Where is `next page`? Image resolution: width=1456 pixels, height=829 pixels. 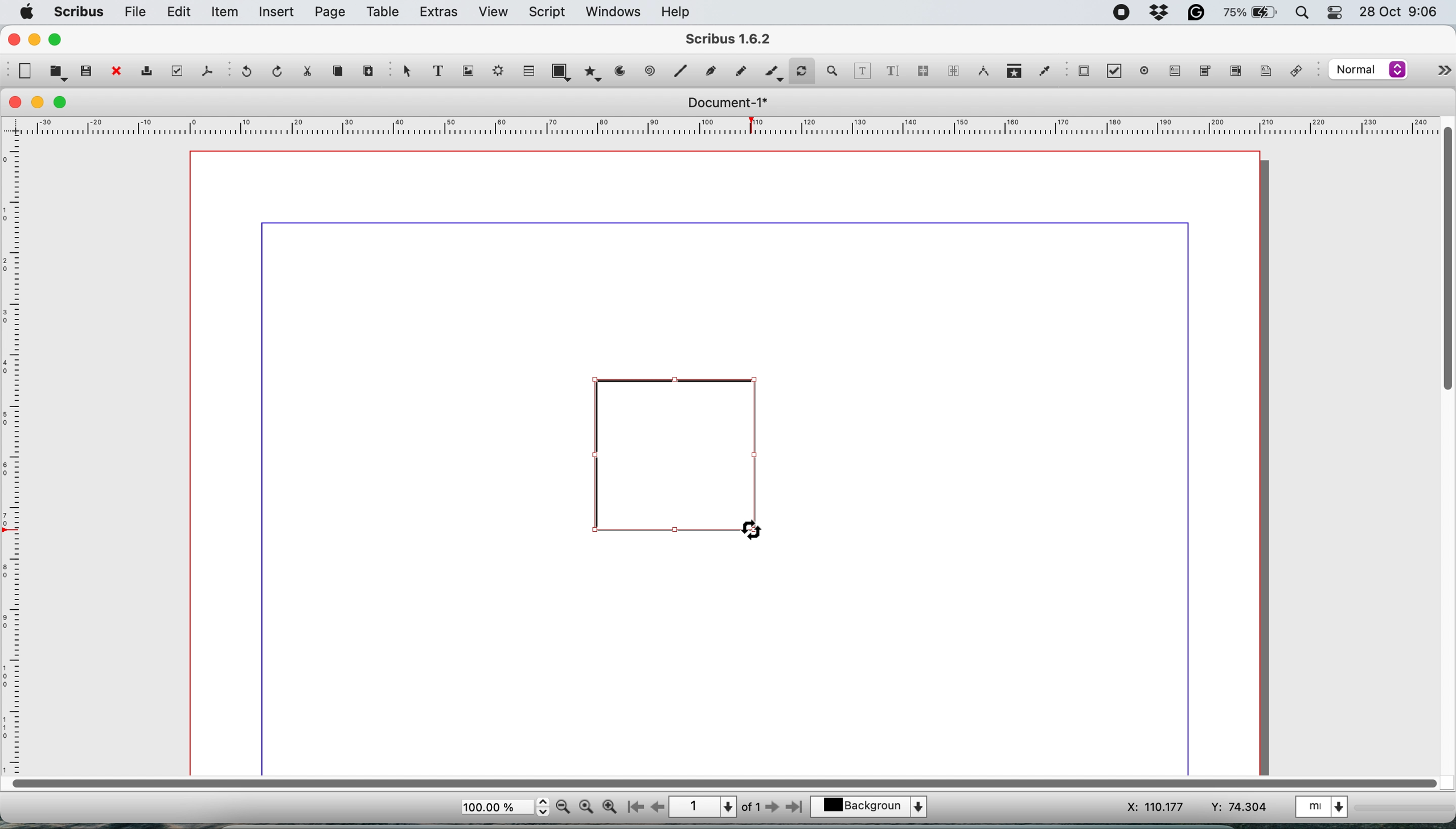 next page is located at coordinates (775, 809).